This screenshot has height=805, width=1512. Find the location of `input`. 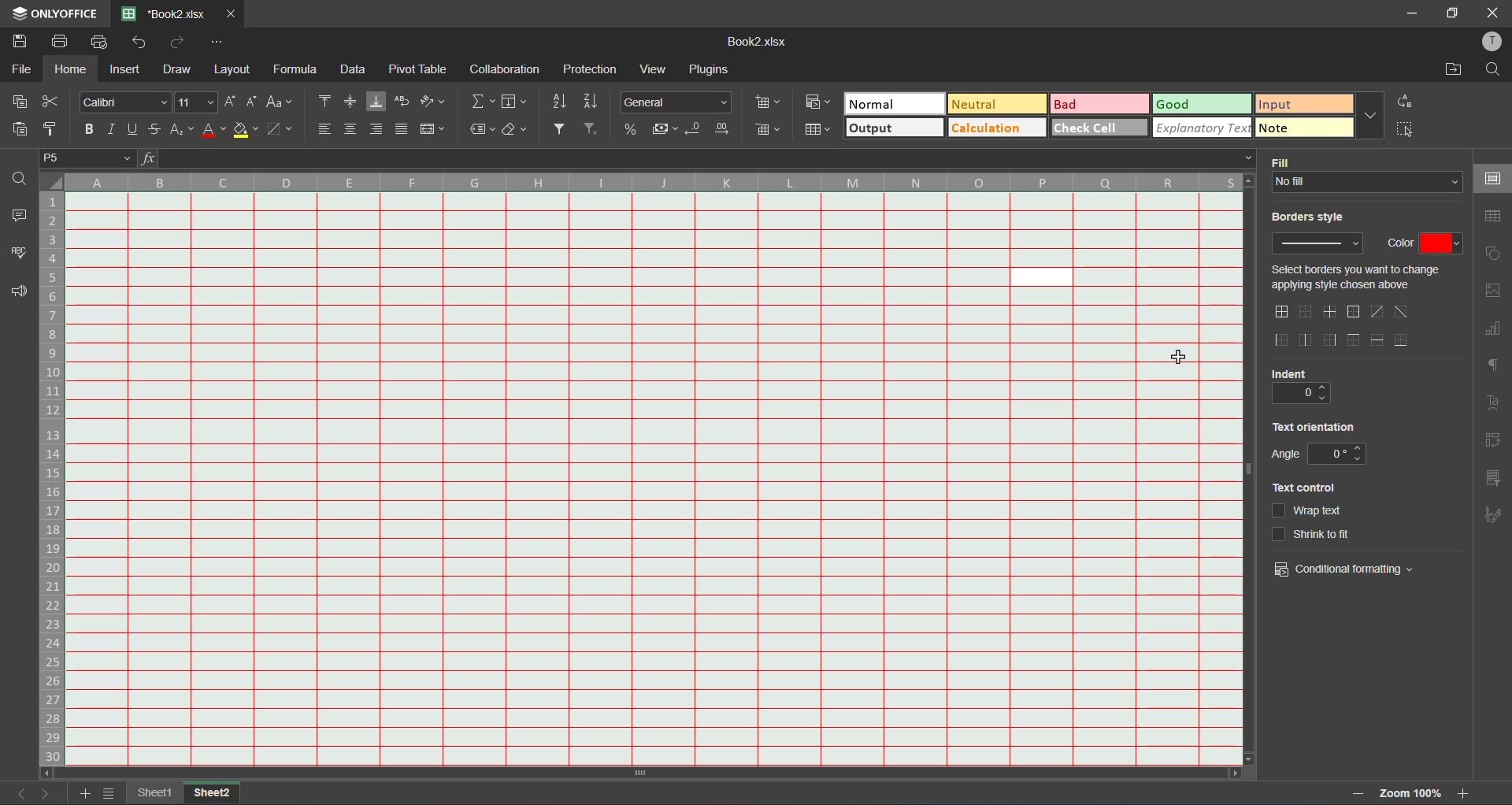

input is located at coordinates (1303, 104).